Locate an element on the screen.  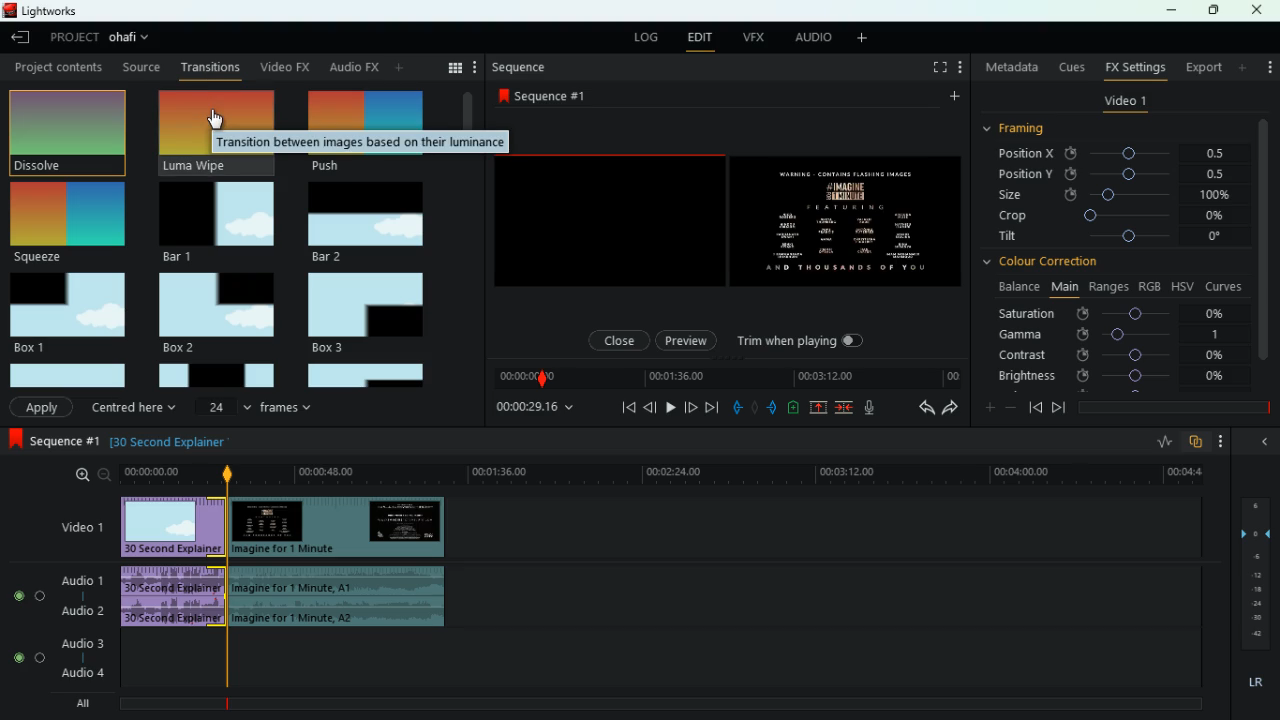
more is located at coordinates (963, 69).